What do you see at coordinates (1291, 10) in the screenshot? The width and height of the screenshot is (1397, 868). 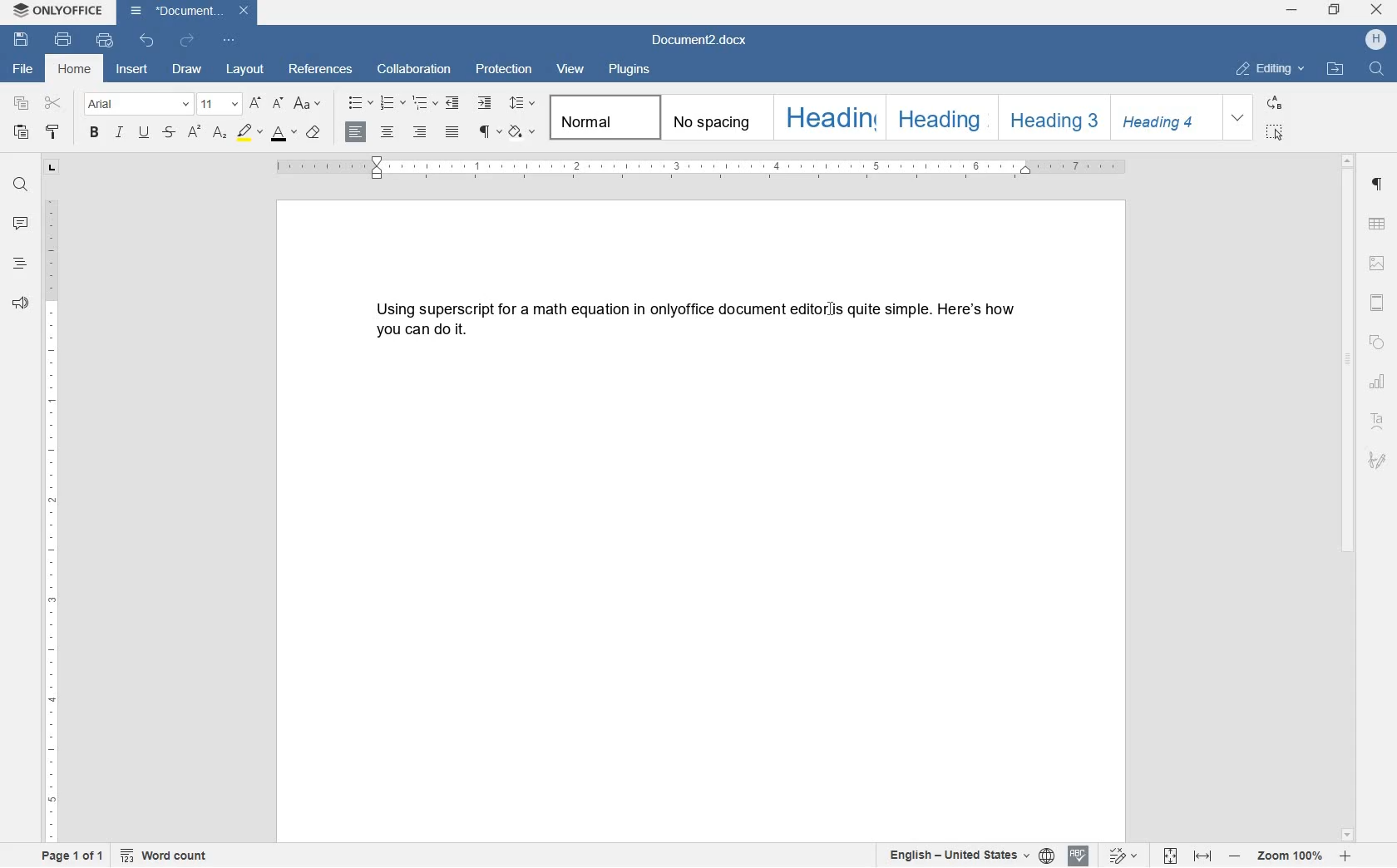 I see `minimize` at bounding box center [1291, 10].